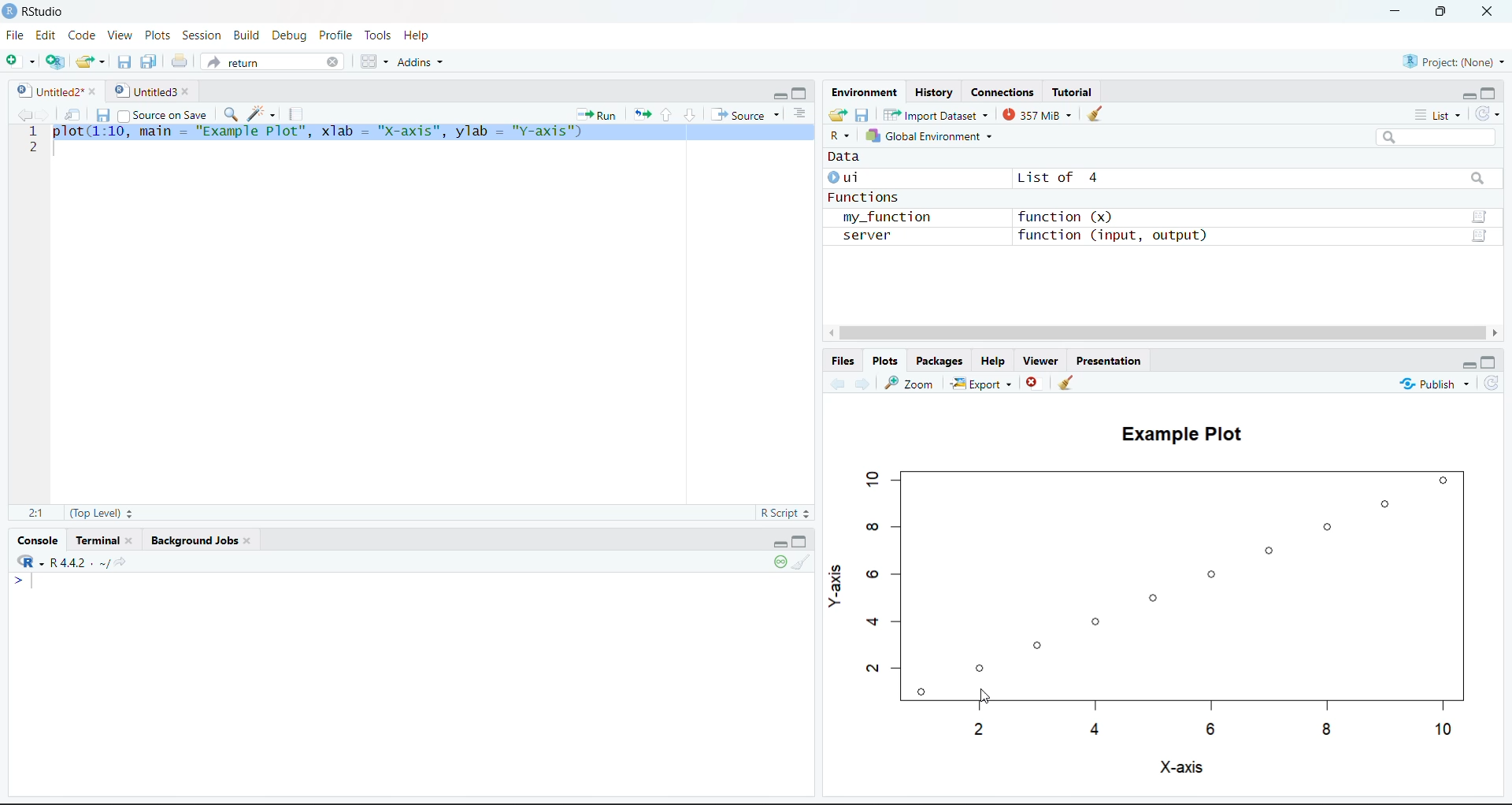  What do you see at coordinates (802, 563) in the screenshot?
I see `Clear console (Ctrl +L)` at bounding box center [802, 563].